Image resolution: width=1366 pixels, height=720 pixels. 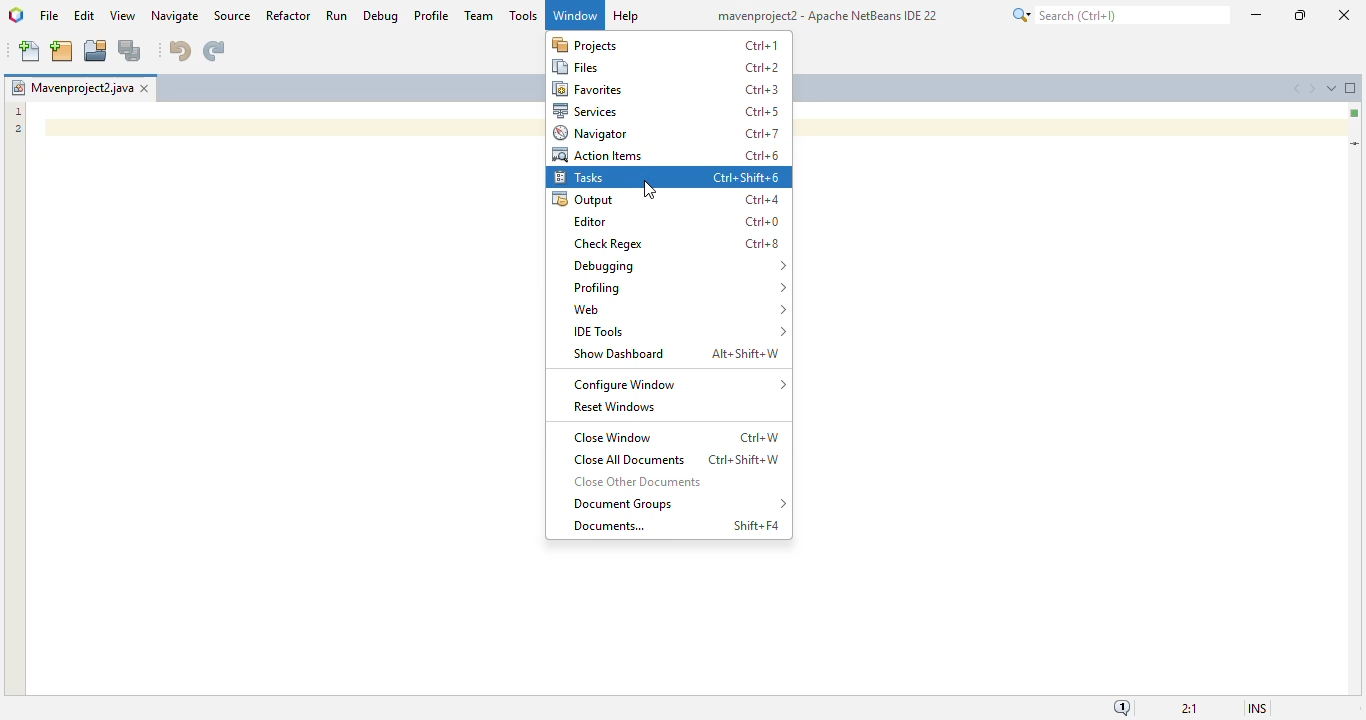 What do you see at coordinates (1257, 15) in the screenshot?
I see `minimize` at bounding box center [1257, 15].